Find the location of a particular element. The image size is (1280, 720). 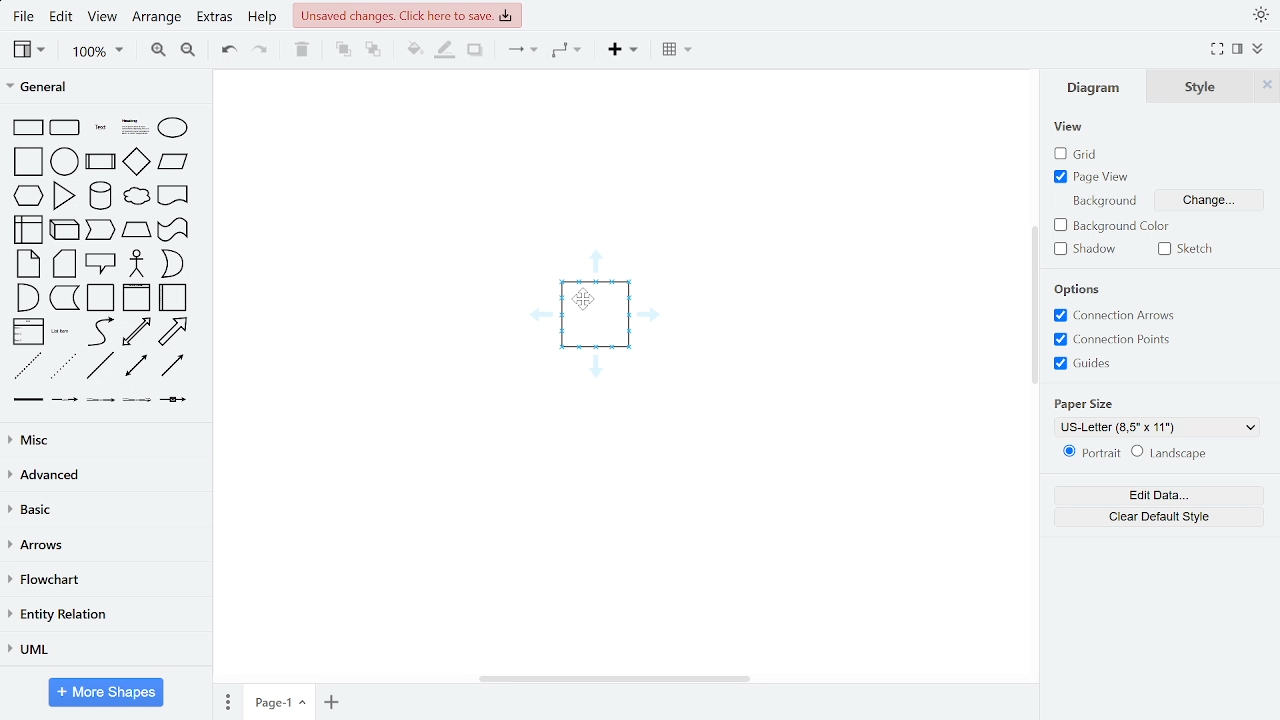

Paper size is located at coordinates (1084, 405).